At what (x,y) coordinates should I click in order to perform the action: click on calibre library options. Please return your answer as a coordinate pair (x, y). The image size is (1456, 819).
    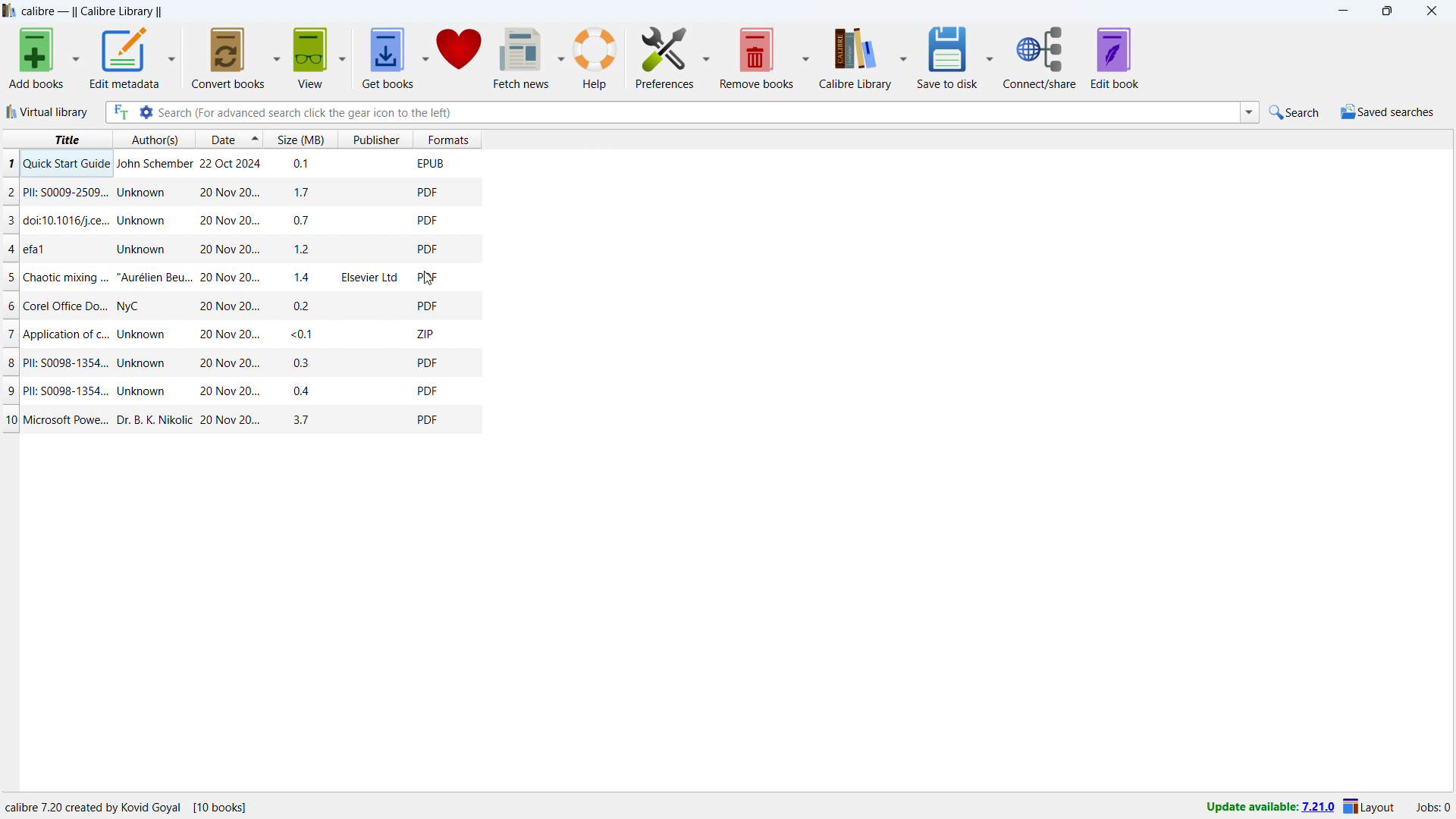
    Looking at the image, I should click on (905, 58).